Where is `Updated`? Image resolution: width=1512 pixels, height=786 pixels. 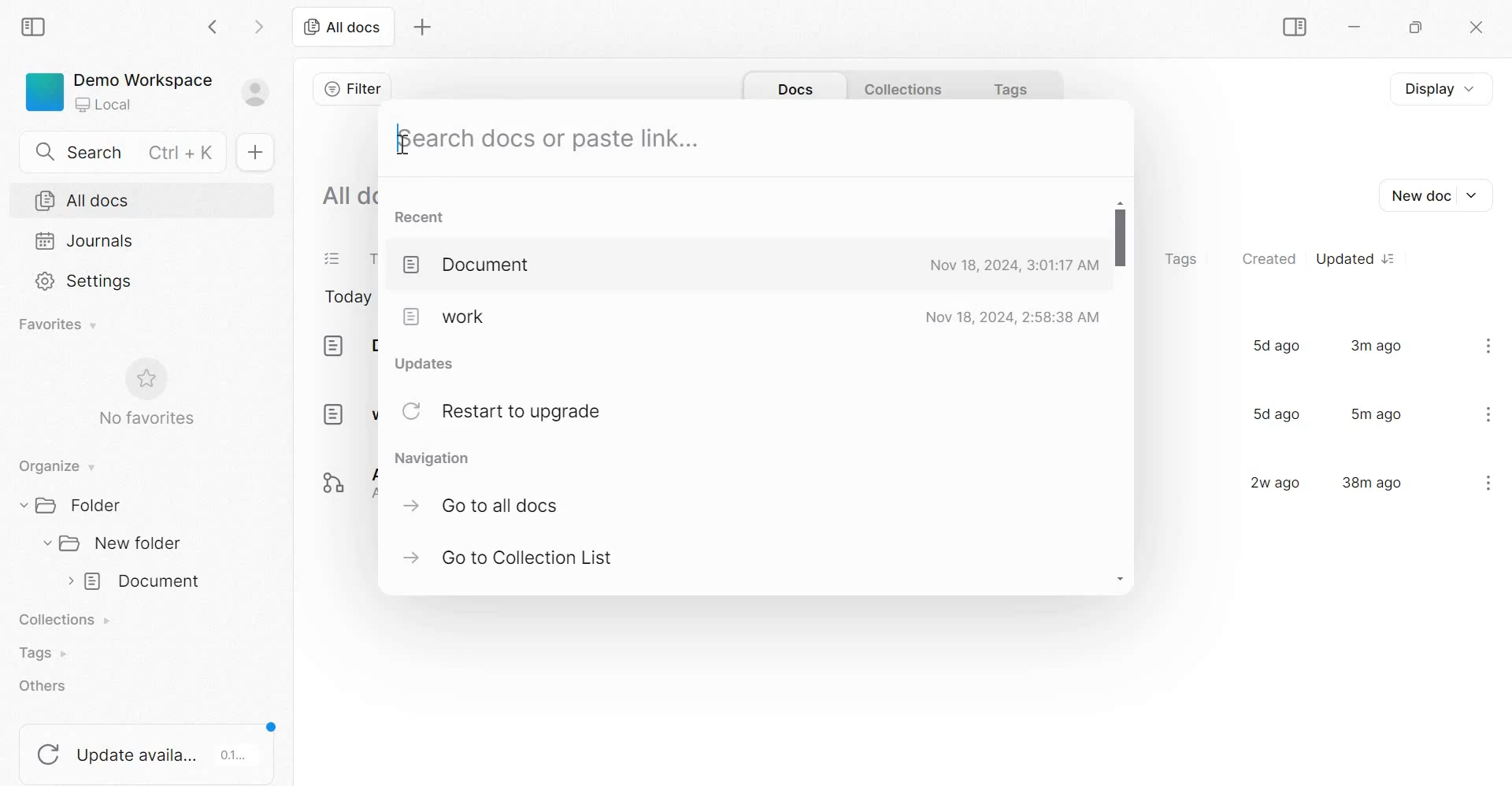 Updated is located at coordinates (1354, 258).